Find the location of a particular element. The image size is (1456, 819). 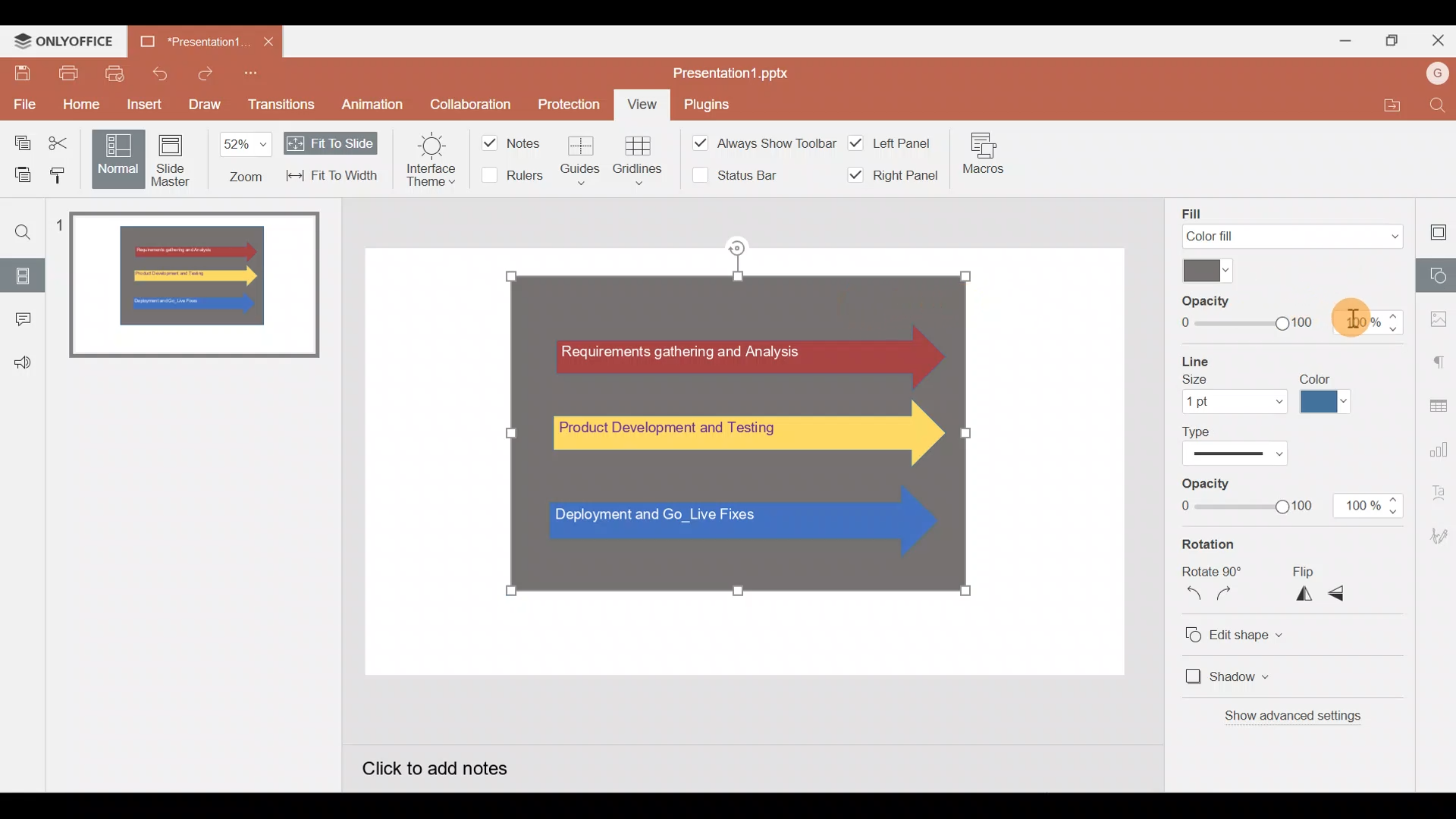

Draw is located at coordinates (205, 102).